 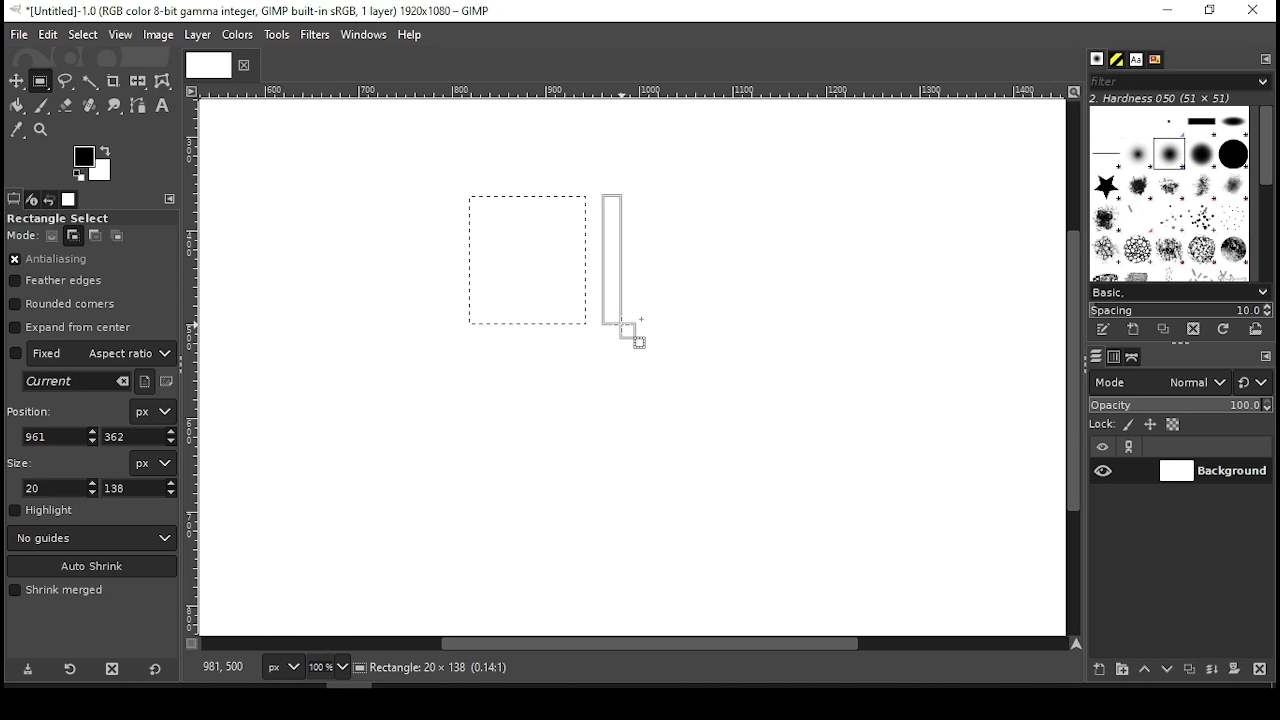 I want to click on paths tool, so click(x=139, y=107).